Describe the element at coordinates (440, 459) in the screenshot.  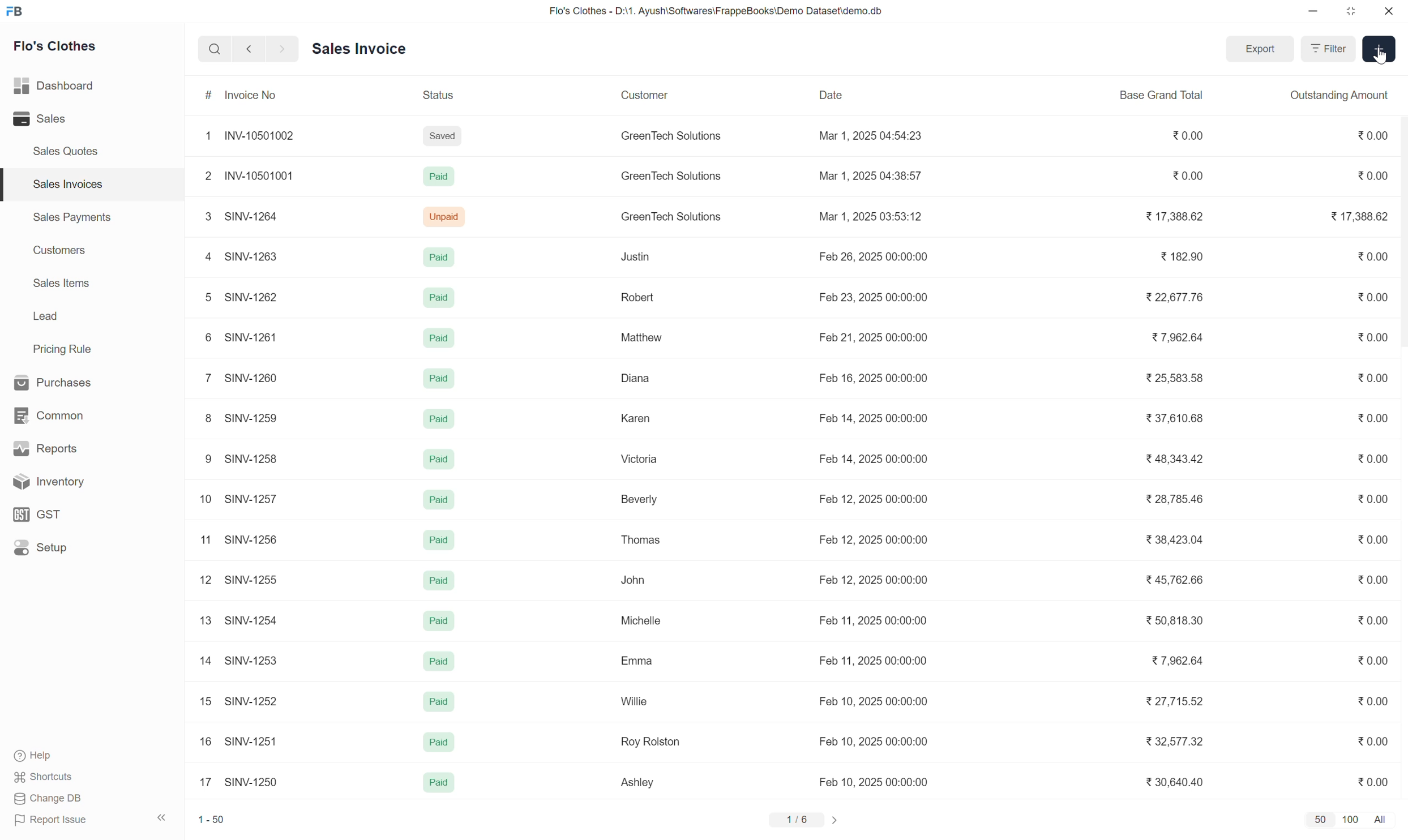
I see `Paid` at that location.